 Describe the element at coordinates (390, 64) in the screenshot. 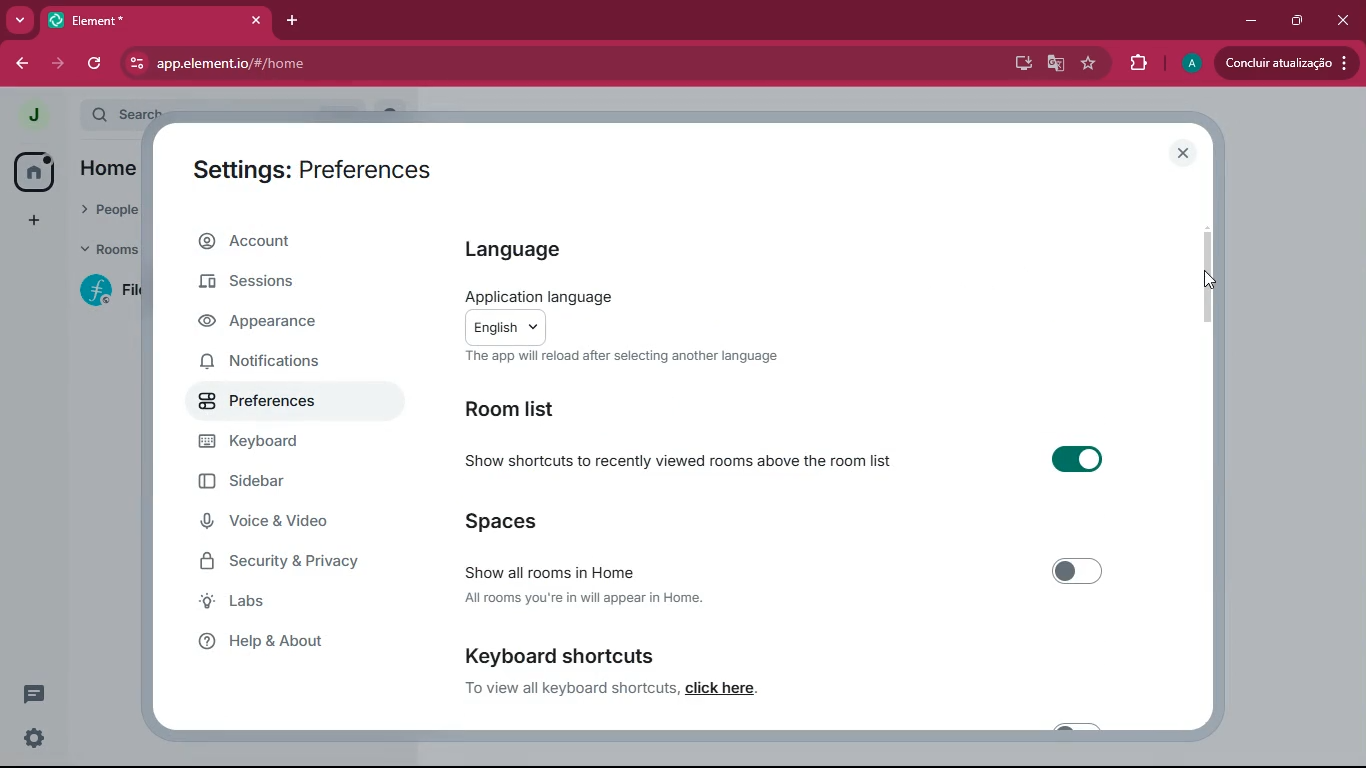

I see `app.element.io/#/home` at that location.